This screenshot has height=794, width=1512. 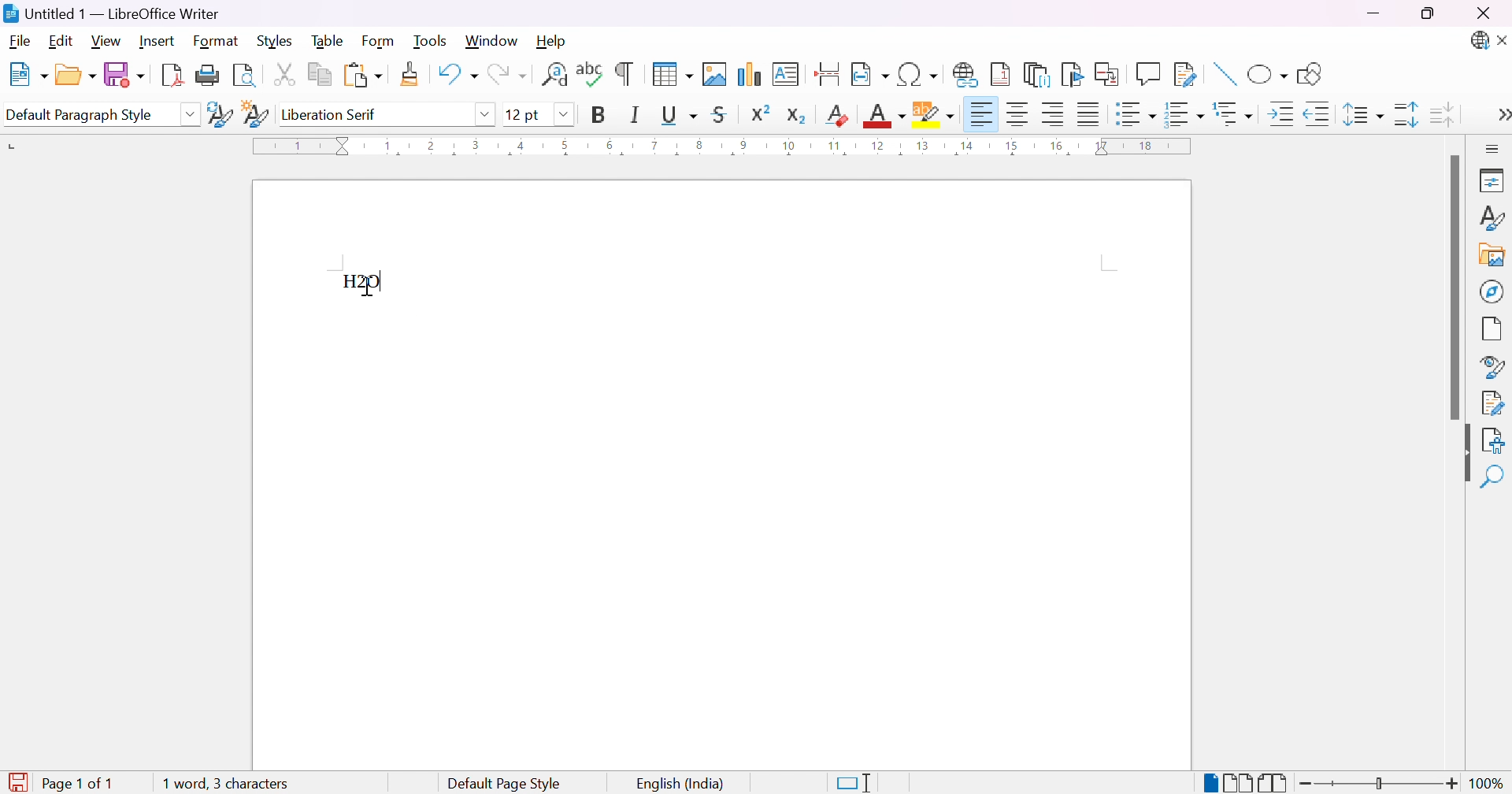 What do you see at coordinates (1493, 257) in the screenshot?
I see `Insert image` at bounding box center [1493, 257].